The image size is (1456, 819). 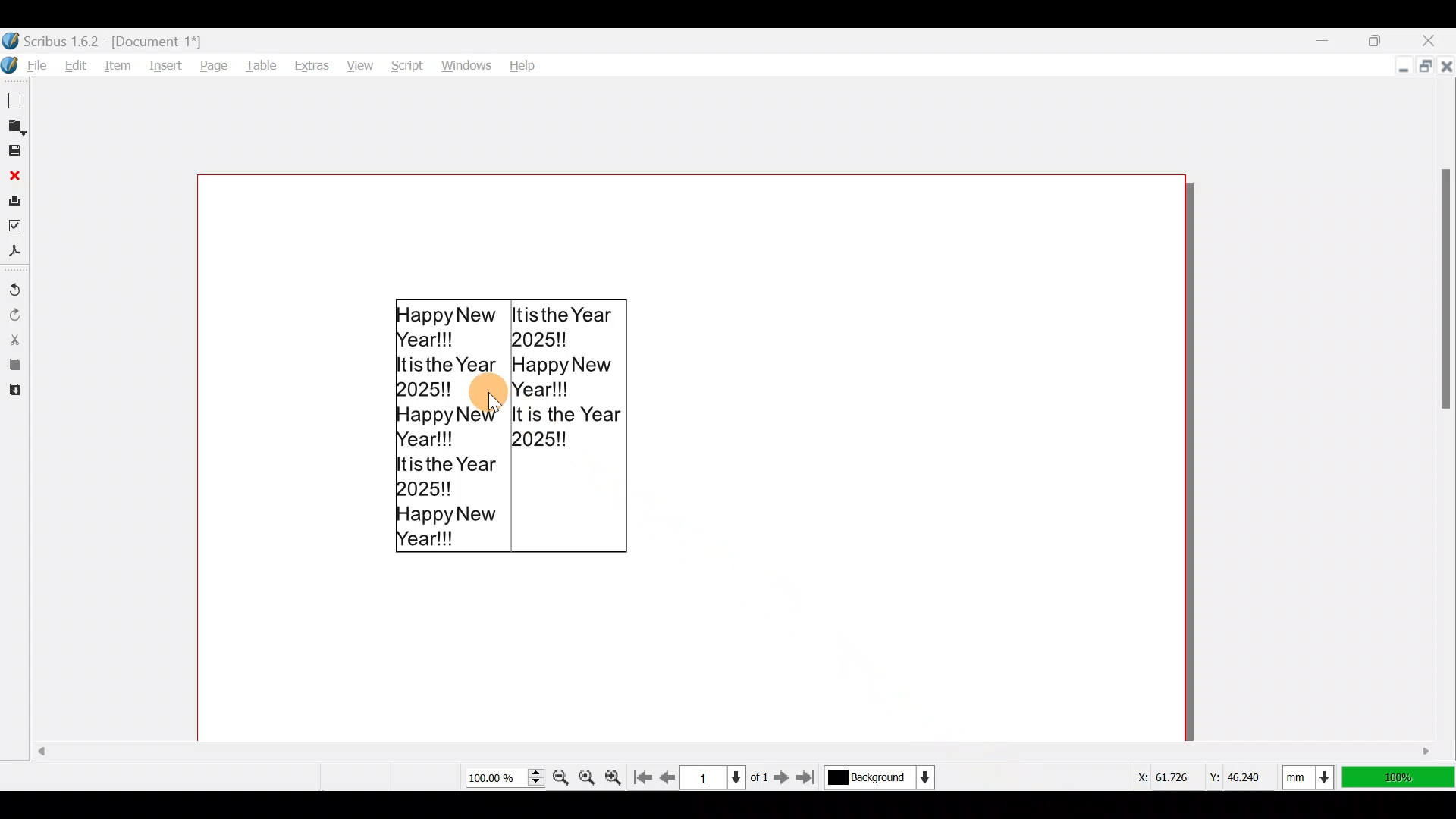 What do you see at coordinates (215, 65) in the screenshot?
I see `Page` at bounding box center [215, 65].